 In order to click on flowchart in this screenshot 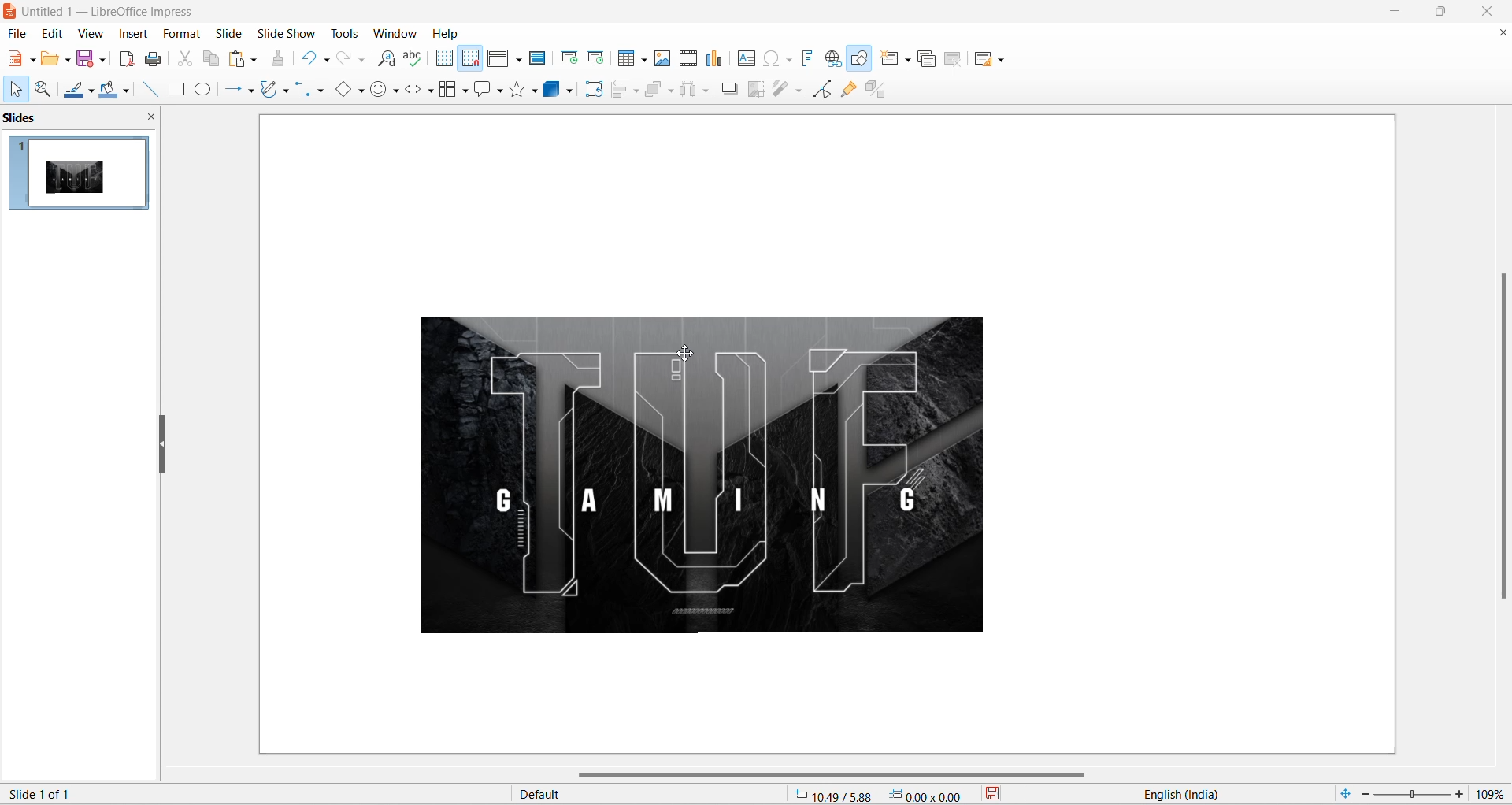, I will do `click(448, 91)`.